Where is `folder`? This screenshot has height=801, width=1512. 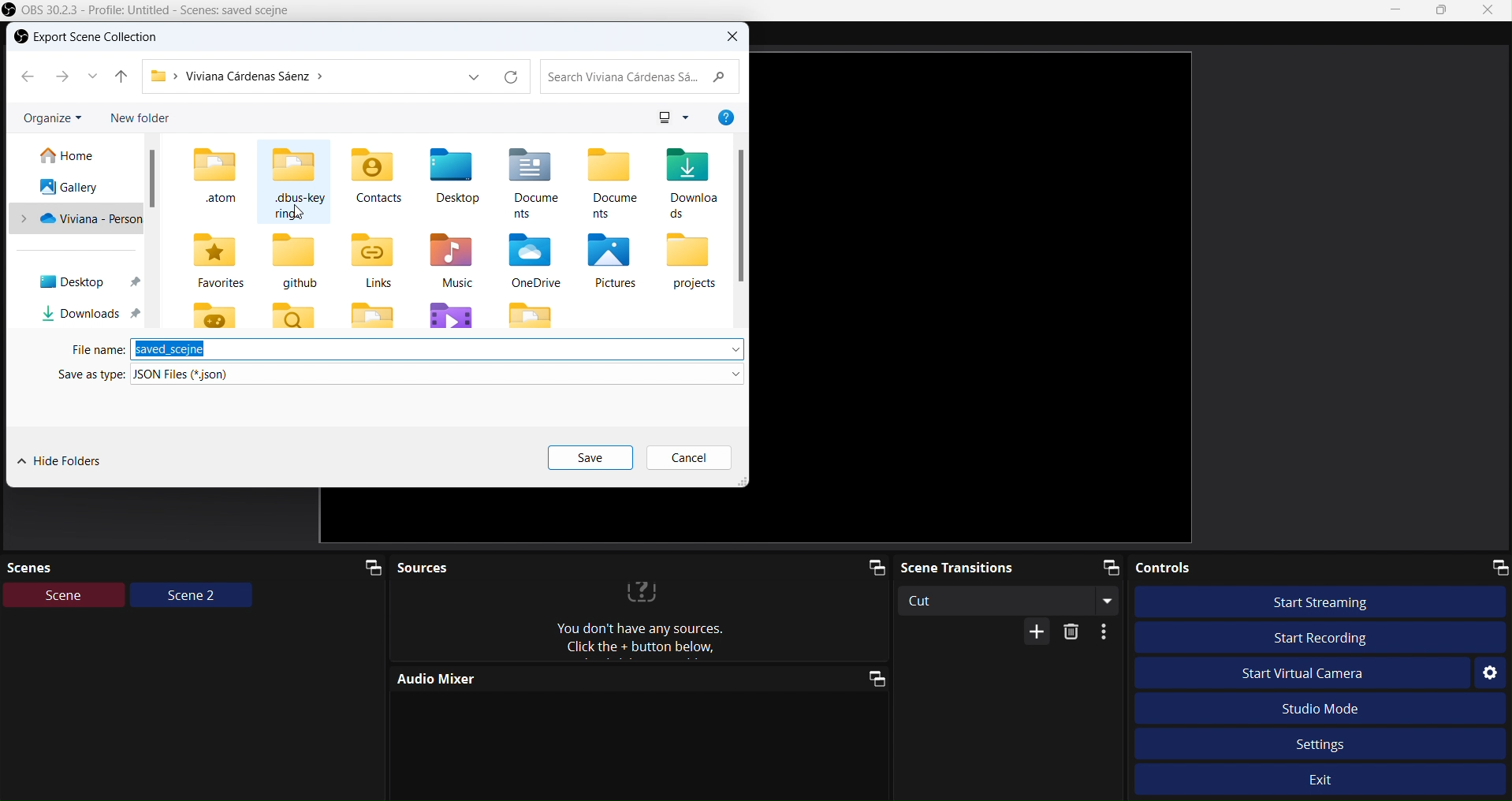 folder is located at coordinates (371, 314).